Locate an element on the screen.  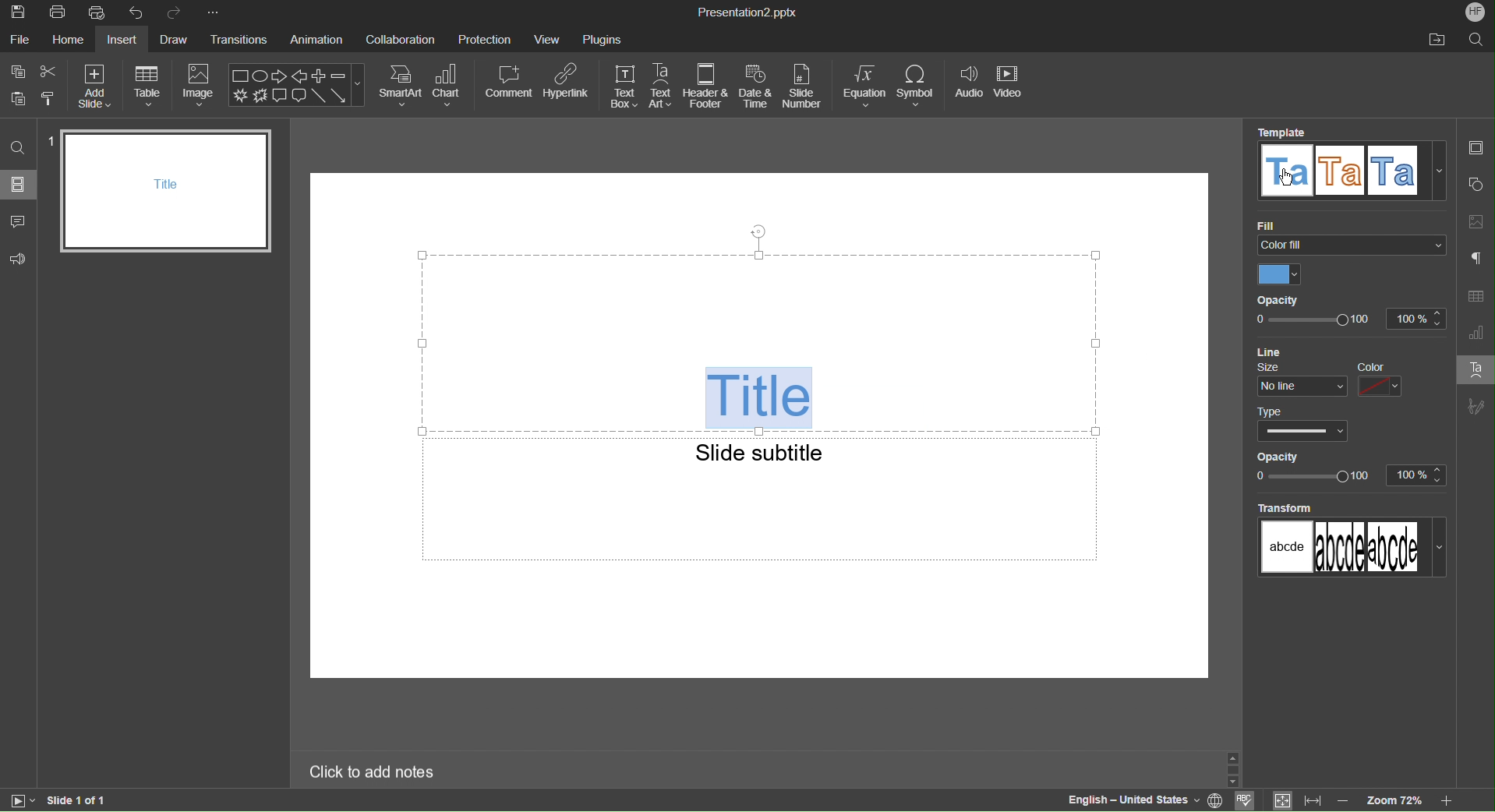
Equation  is located at coordinates (864, 86).